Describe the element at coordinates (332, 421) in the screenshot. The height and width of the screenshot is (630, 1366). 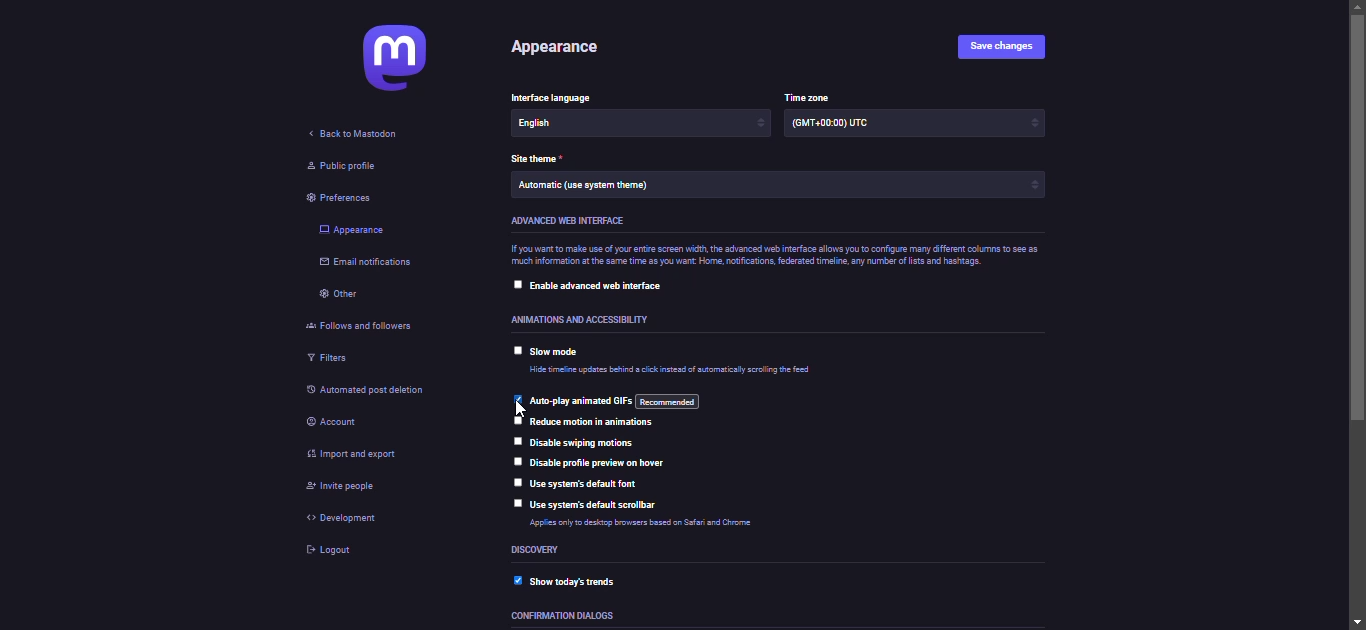
I see `account` at that location.